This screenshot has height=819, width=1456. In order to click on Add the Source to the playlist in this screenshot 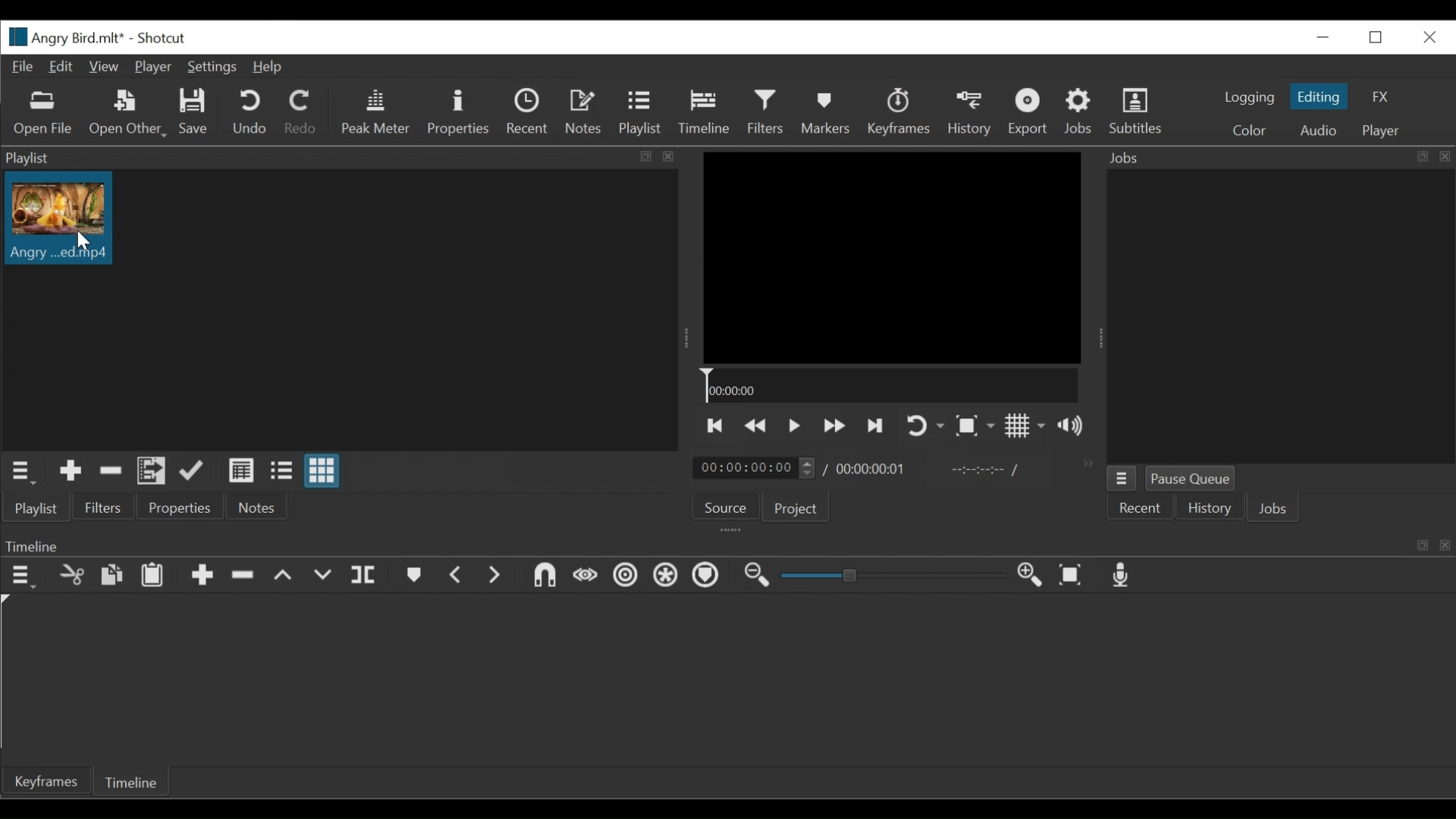, I will do `click(69, 471)`.